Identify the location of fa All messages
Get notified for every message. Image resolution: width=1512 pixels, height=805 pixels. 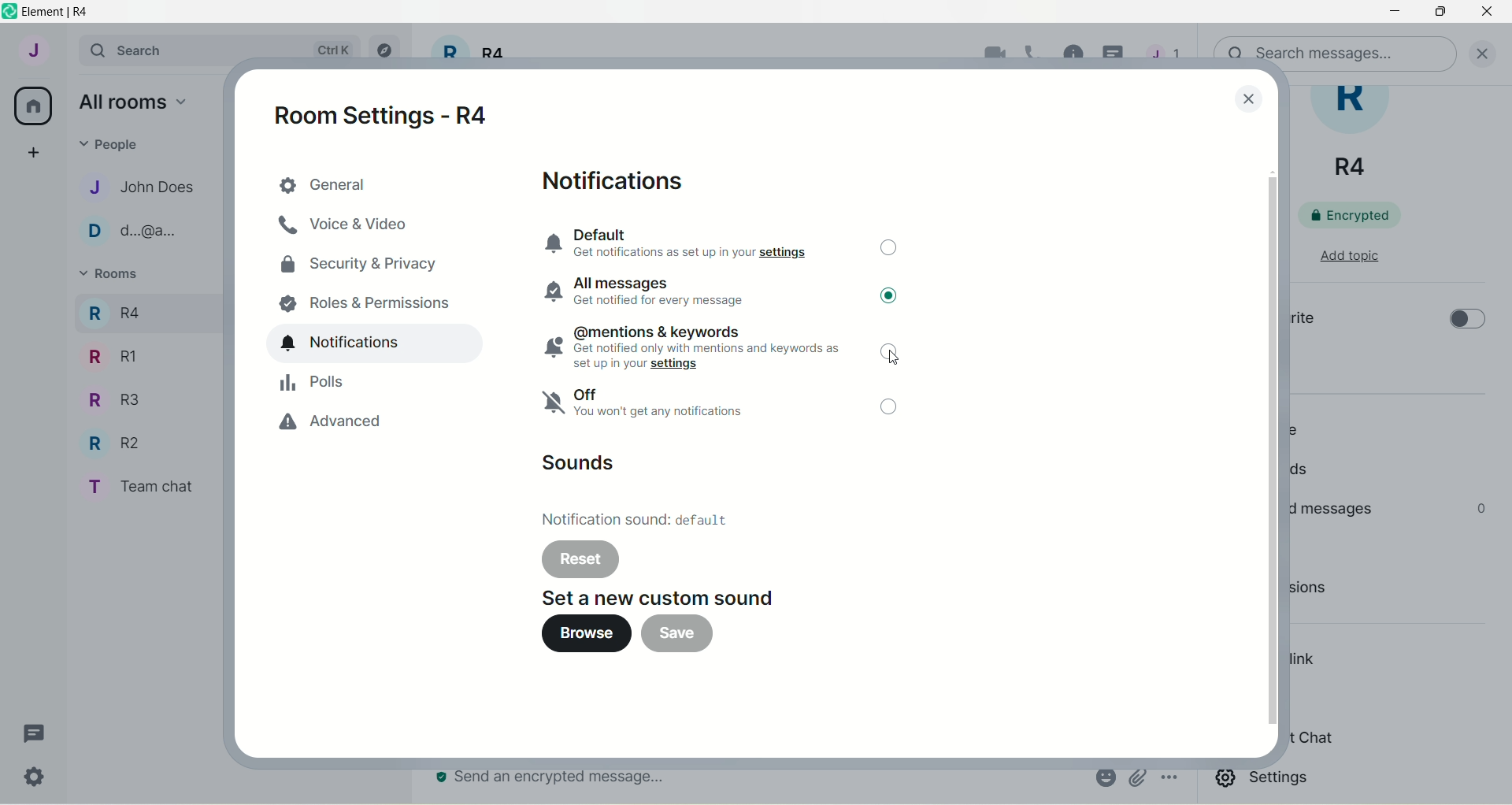
(655, 292).